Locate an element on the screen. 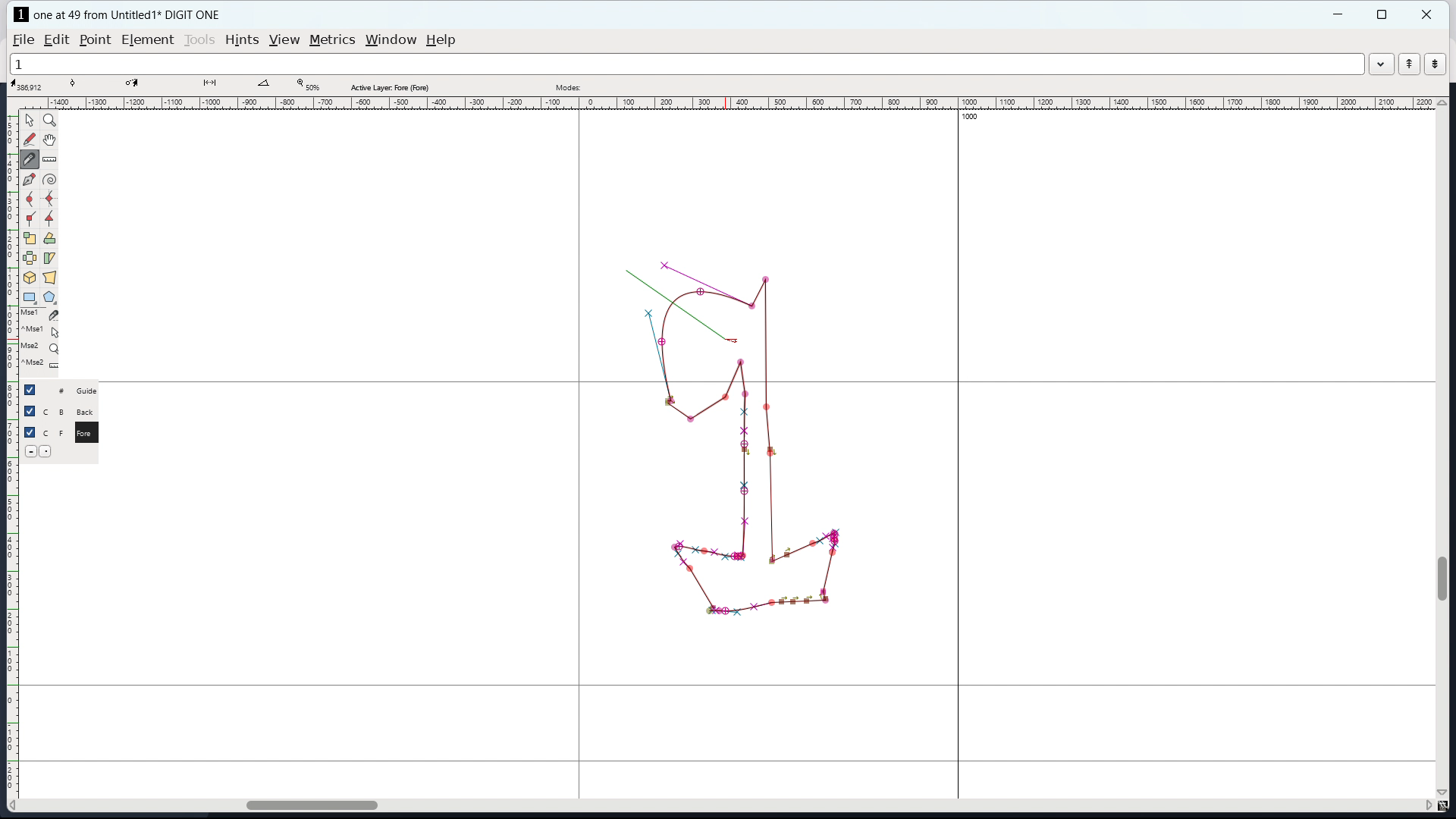 The width and height of the screenshot is (1456, 819). add new layer is located at coordinates (48, 450).